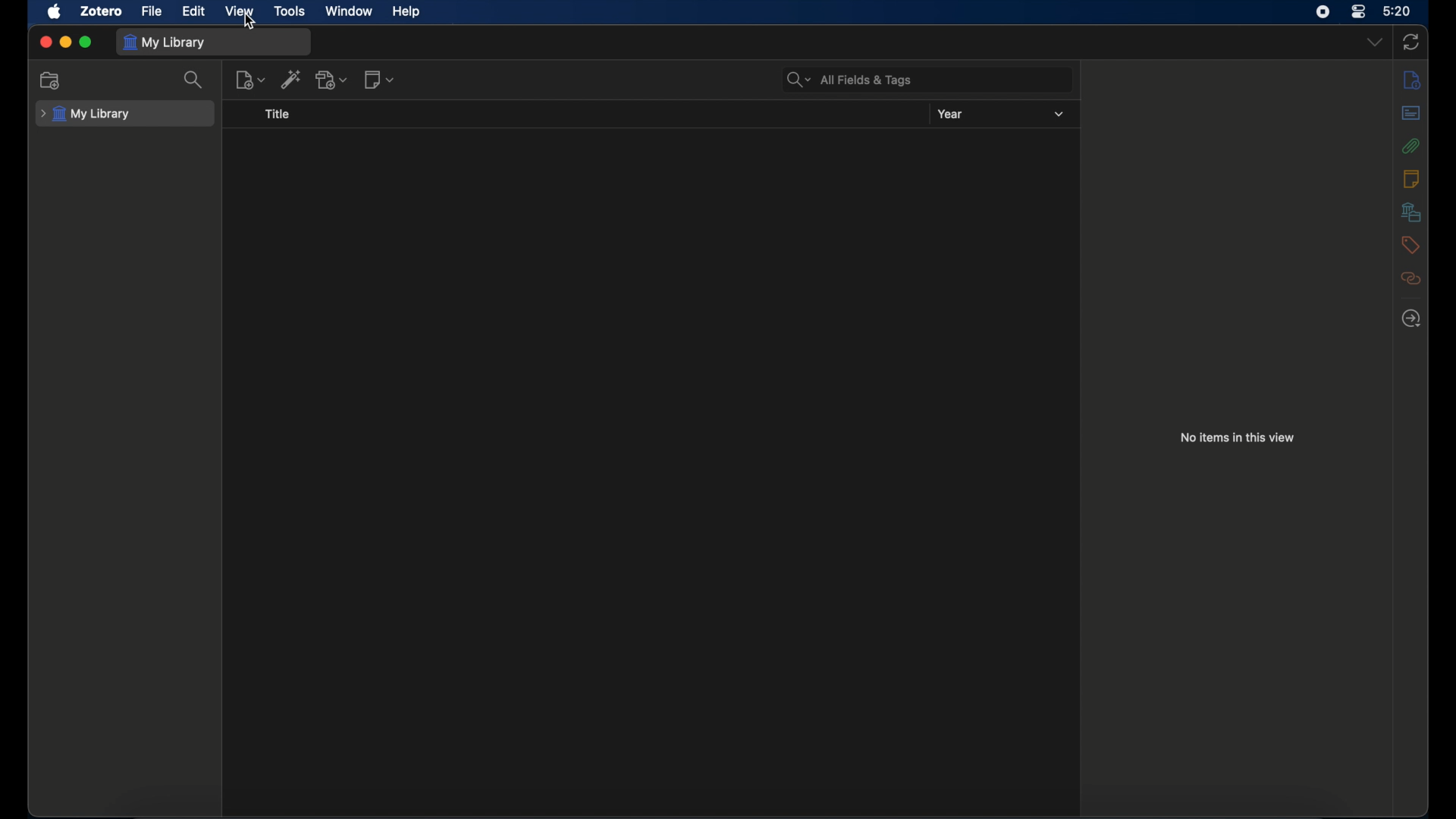 This screenshot has height=819, width=1456. Describe the element at coordinates (51, 80) in the screenshot. I see `new collection` at that location.